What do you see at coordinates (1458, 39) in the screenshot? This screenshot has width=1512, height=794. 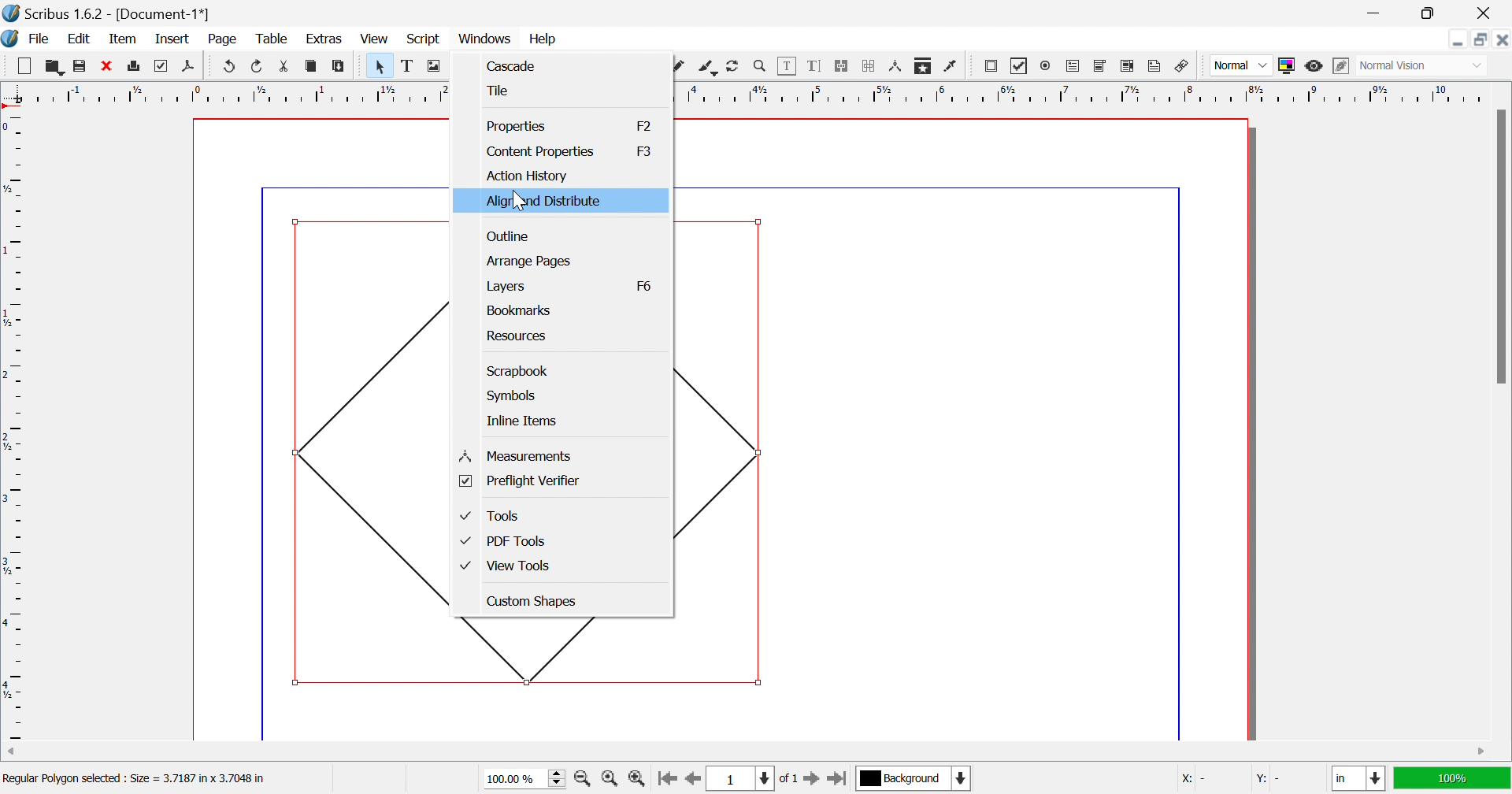 I see `Minimize` at bounding box center [1458, 39].